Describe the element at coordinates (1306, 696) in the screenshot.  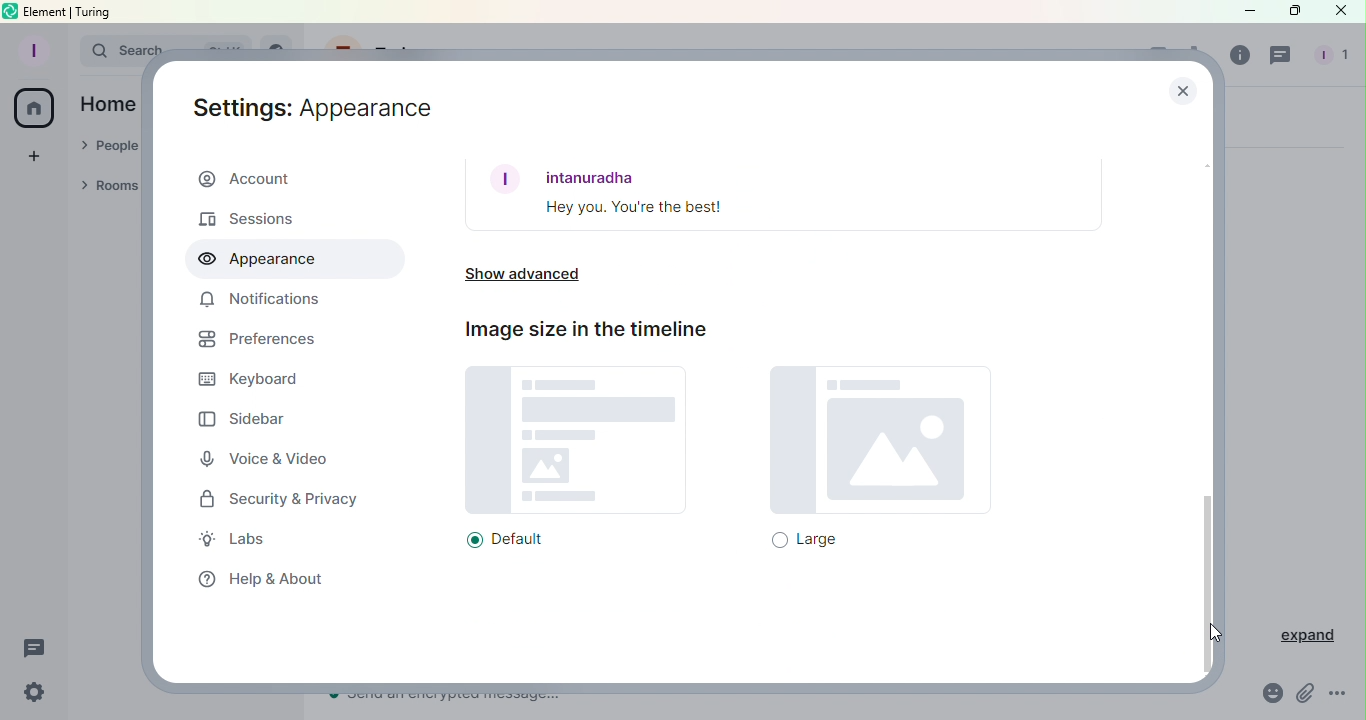
I see `Attachment` at that location.